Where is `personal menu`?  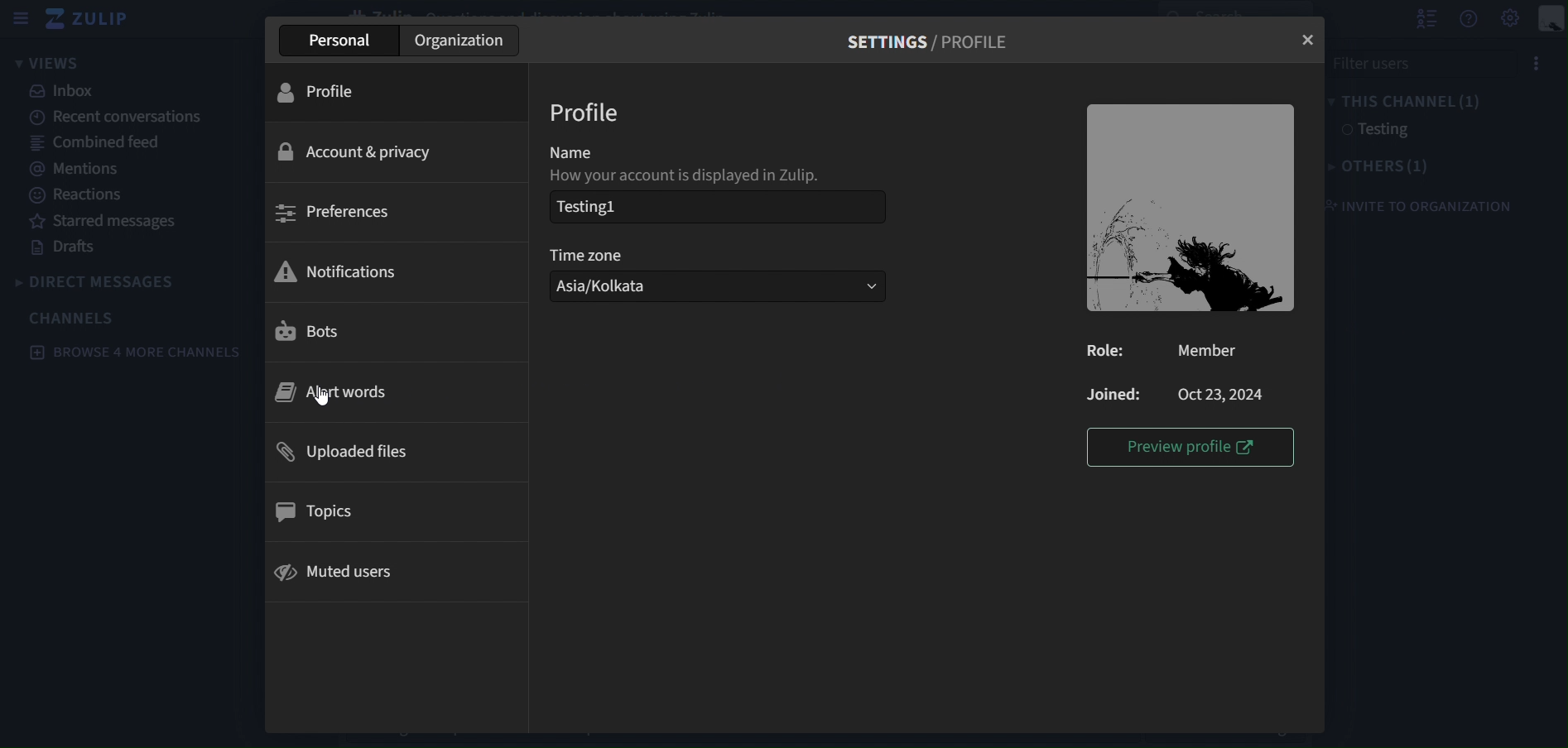
personal menu is located at coordinates (1551, 18).